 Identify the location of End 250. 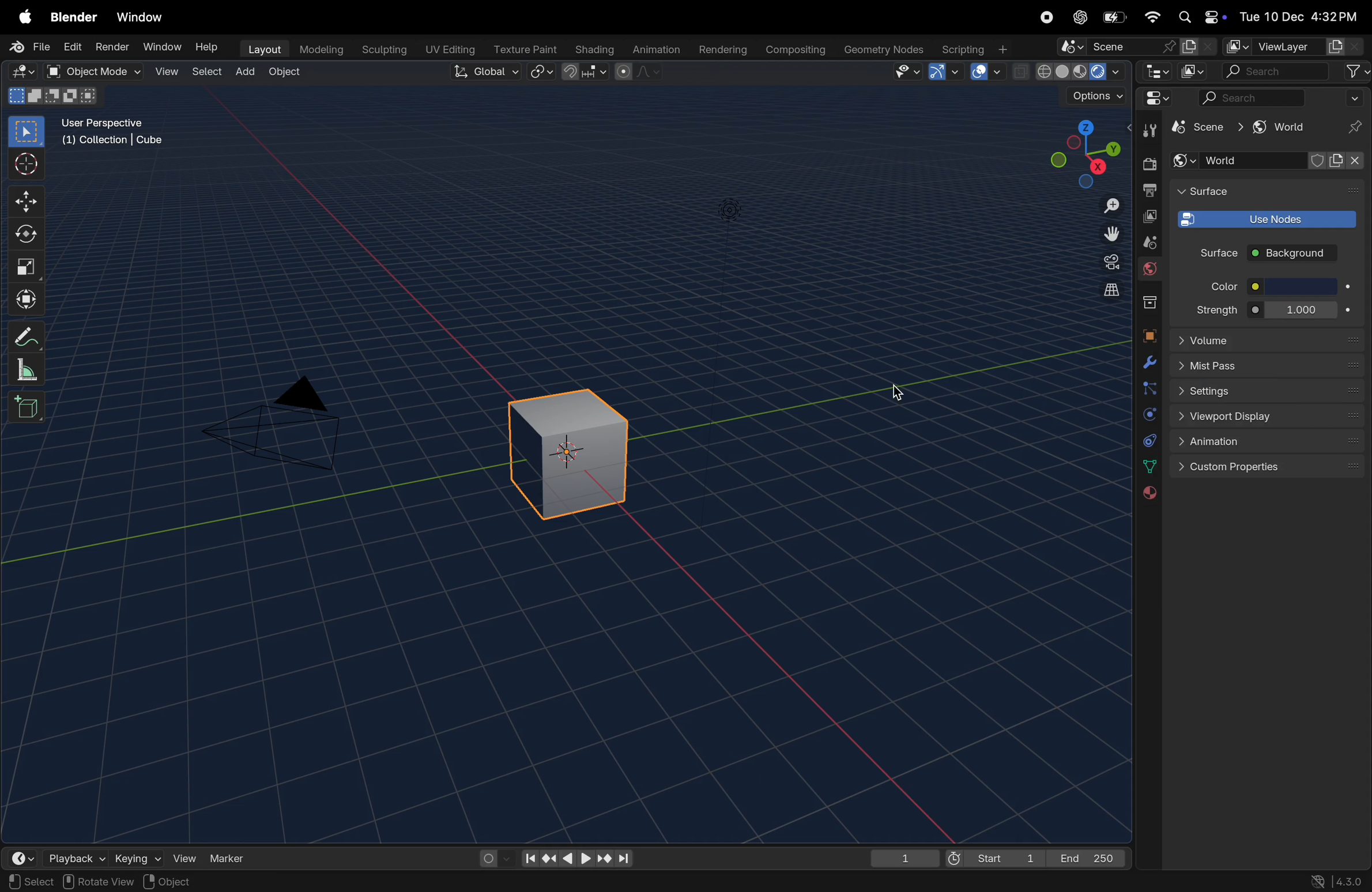
(1088, 857).